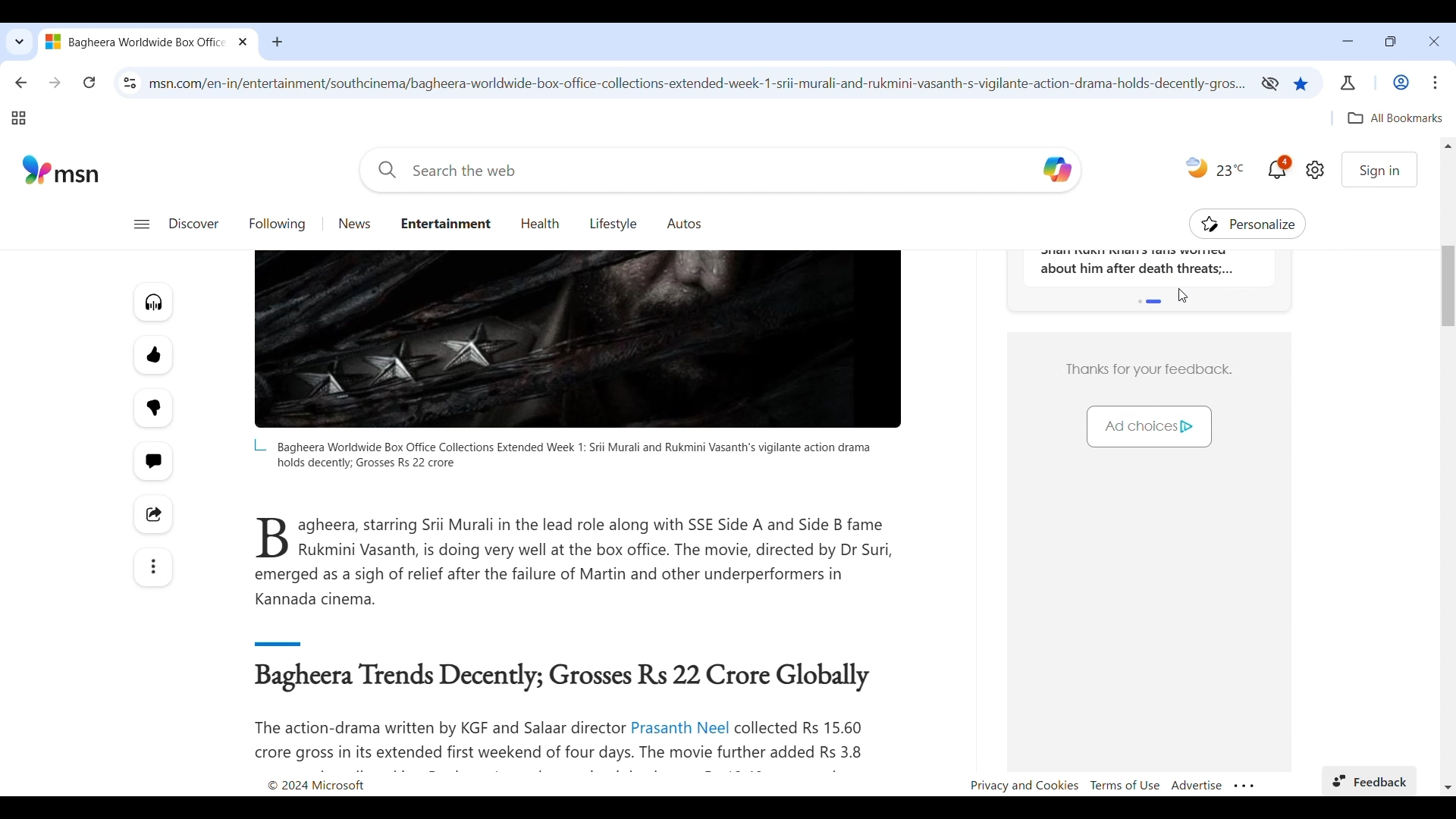 This screenshot has width=1456, height=819. I want to click on Current tab with logo of current site, so click(136, 41).